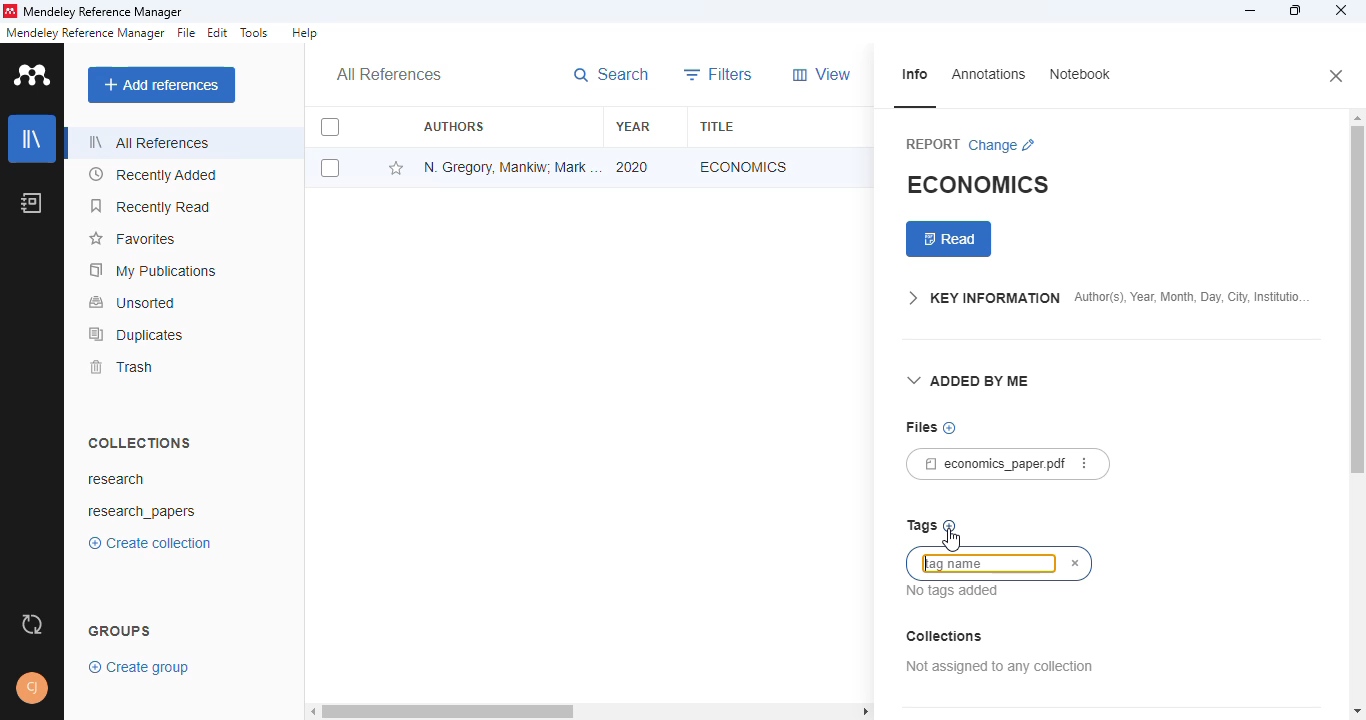  What do you see at coordinates (1002, 146) in the screenshot?
I see `change` at bounding box center [1002, 146].